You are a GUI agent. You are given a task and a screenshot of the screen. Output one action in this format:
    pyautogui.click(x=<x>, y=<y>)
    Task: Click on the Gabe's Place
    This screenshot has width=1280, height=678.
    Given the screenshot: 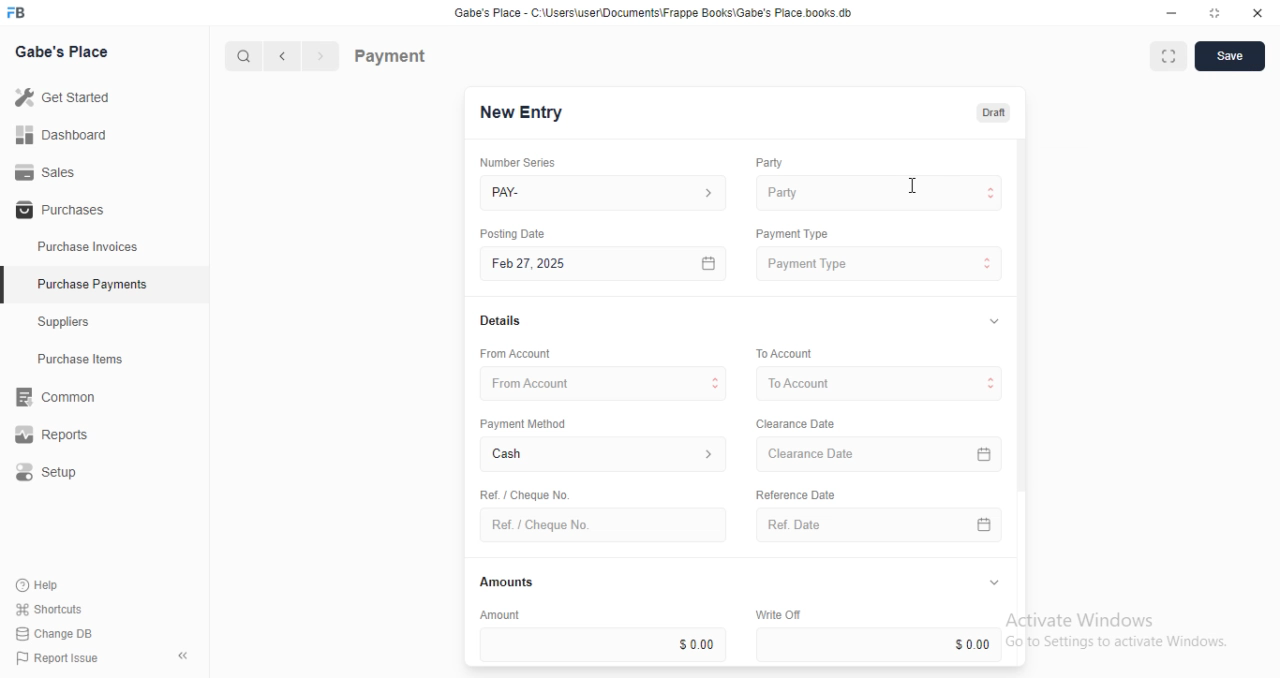 What is the action you would take?
    pyautogui.click(x=66, y=53)
    